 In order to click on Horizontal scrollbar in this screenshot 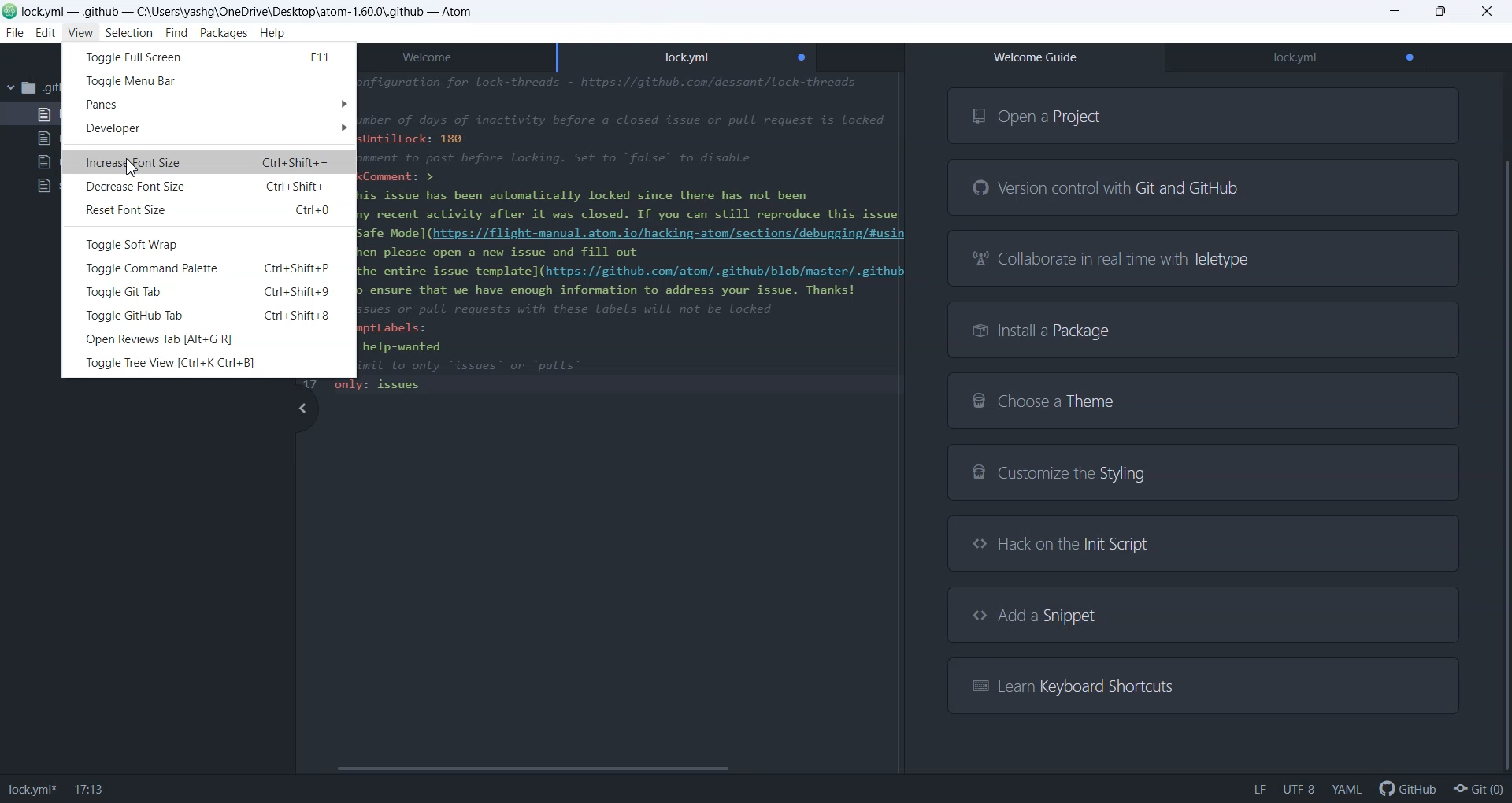, I will do `click(596, 768)`.